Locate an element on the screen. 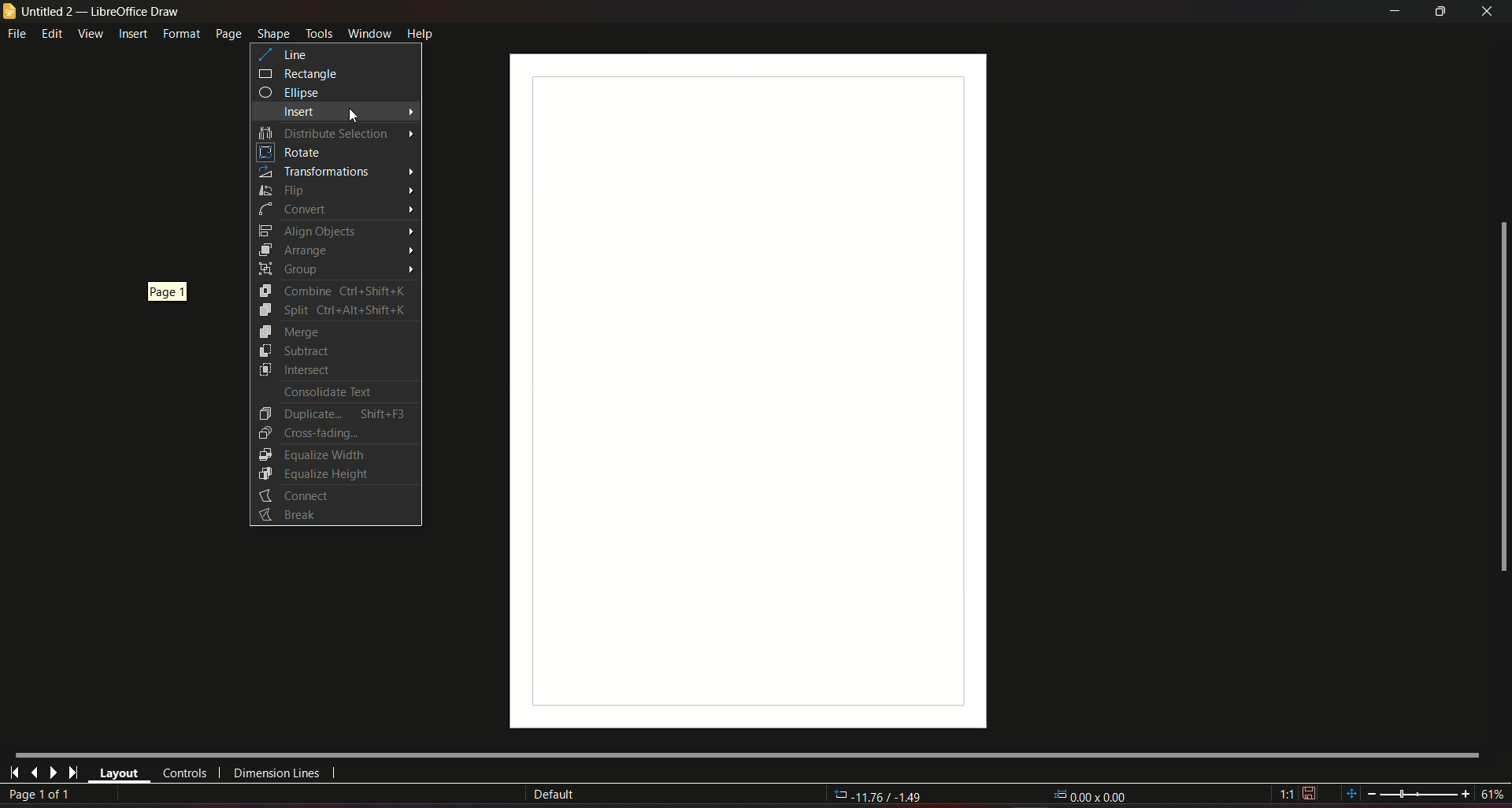 This screenshot has height=808, width=1512. last page is located at coordinates (34, 772).